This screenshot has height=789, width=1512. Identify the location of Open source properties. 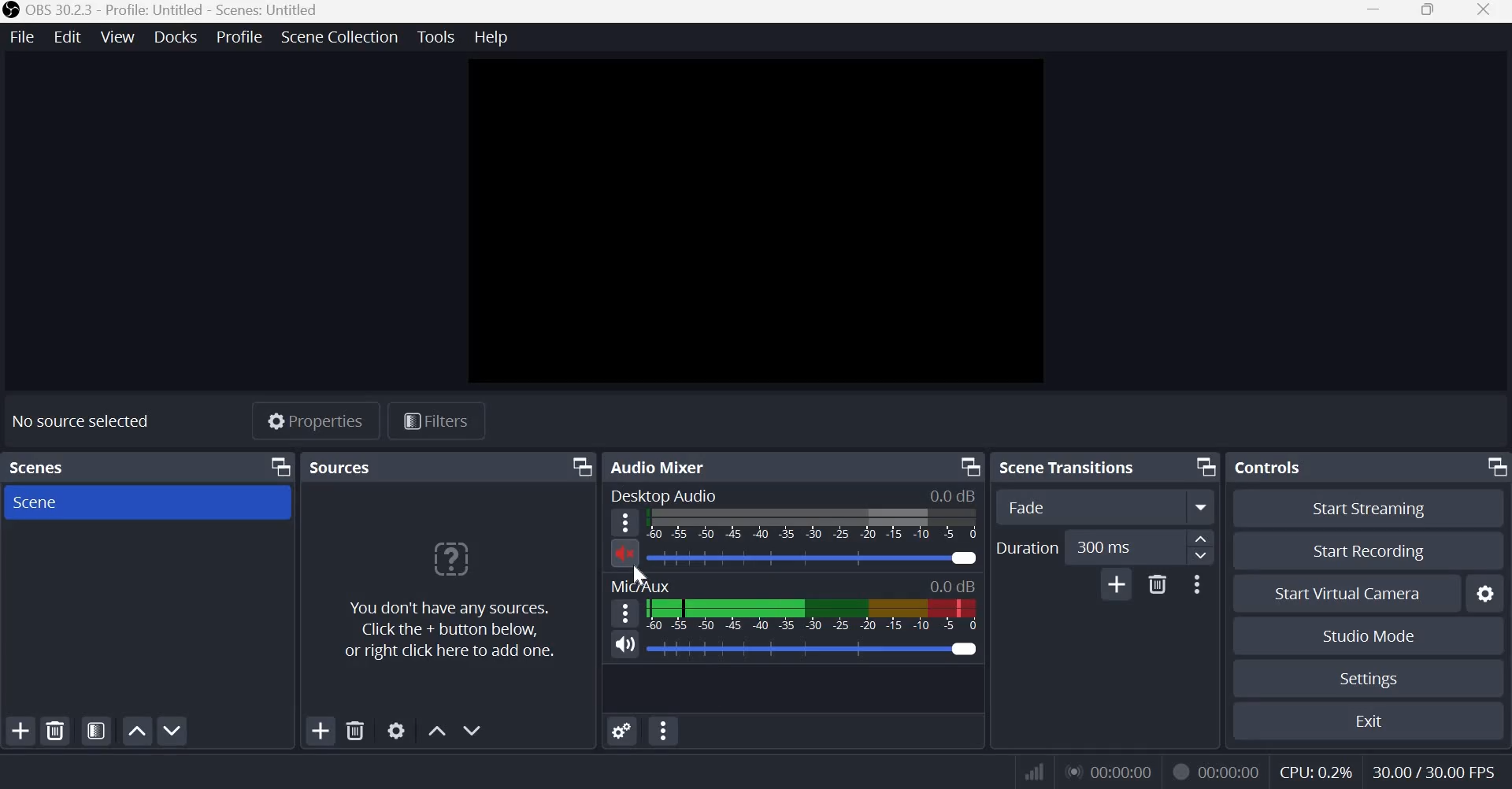
(398, 731).